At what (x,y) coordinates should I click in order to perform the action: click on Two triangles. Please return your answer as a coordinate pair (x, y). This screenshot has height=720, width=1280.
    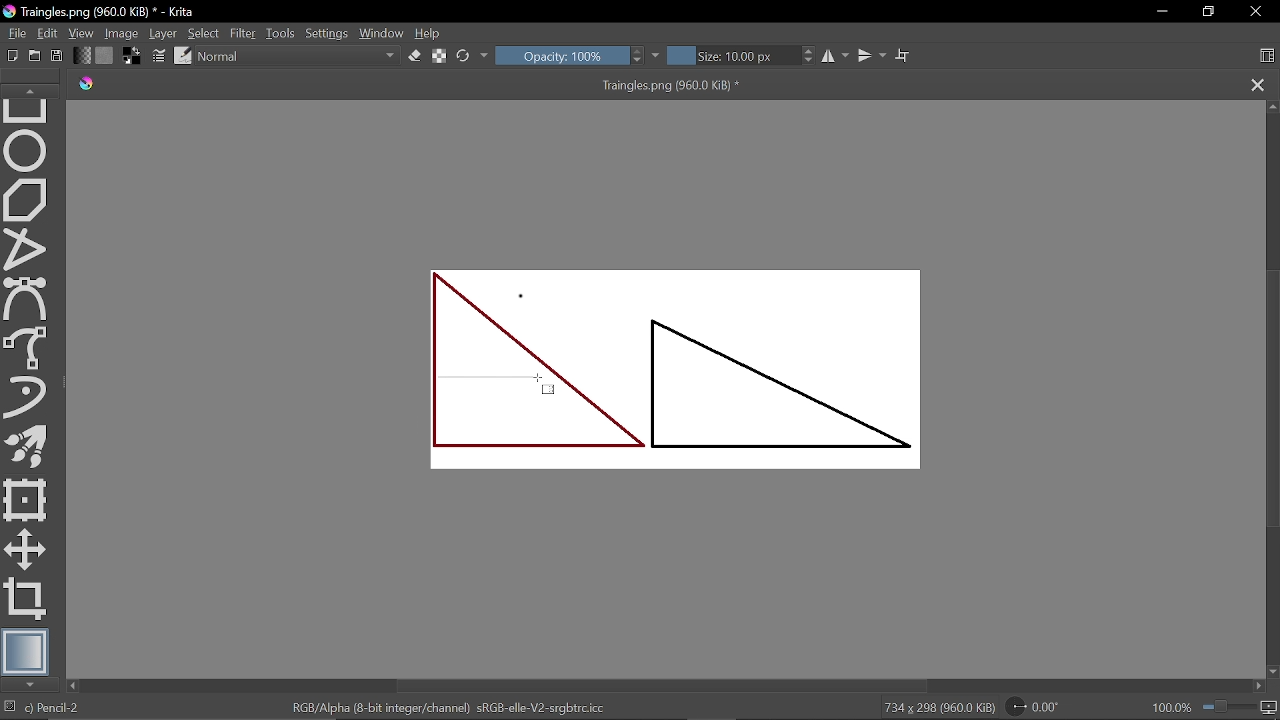
    Looking at the image, I should click on (691, 366).